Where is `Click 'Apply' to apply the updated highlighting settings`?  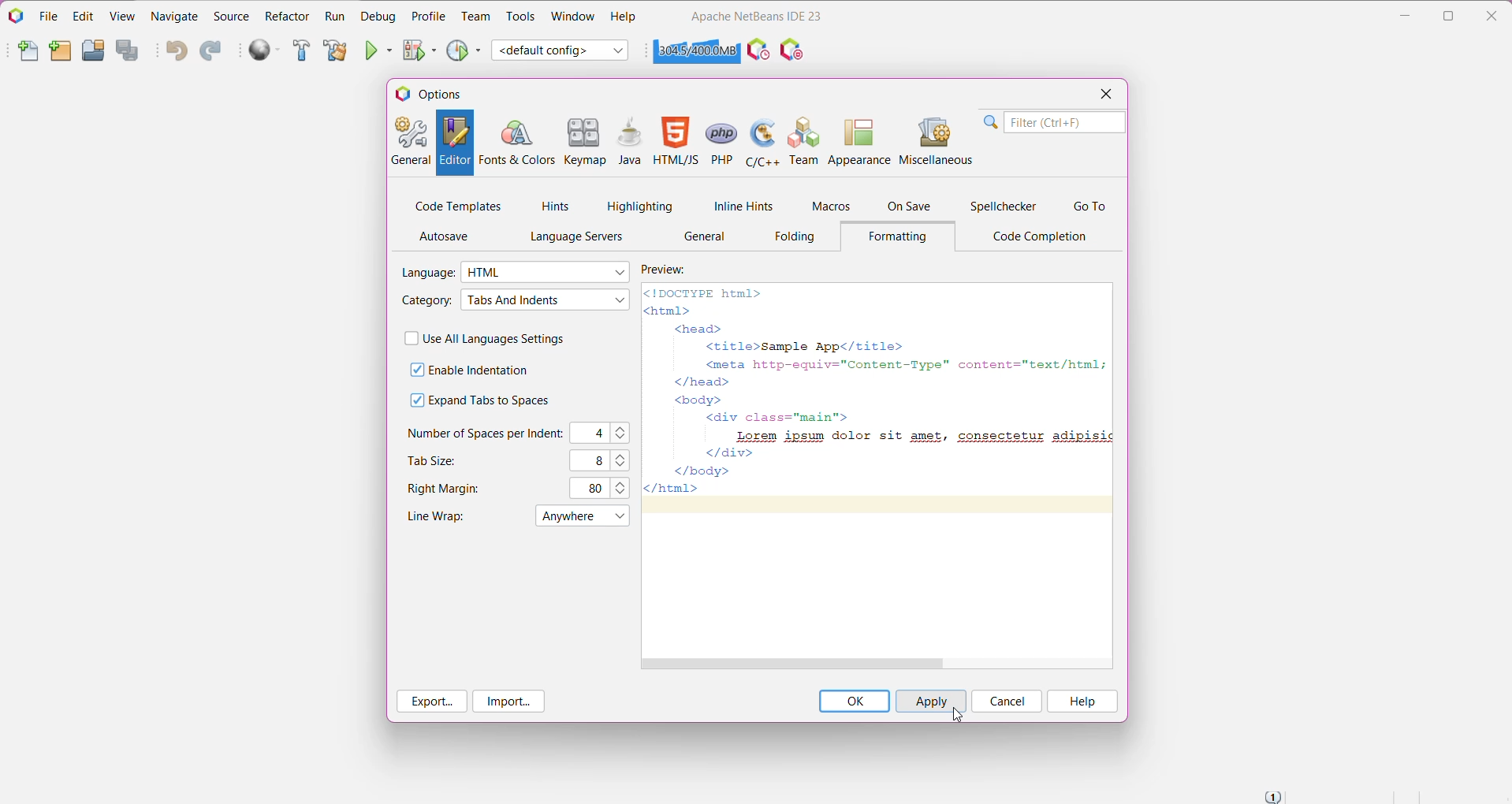
Click 'Apply' to apply the updated highlighting settings is located at coordinates (929, 701).